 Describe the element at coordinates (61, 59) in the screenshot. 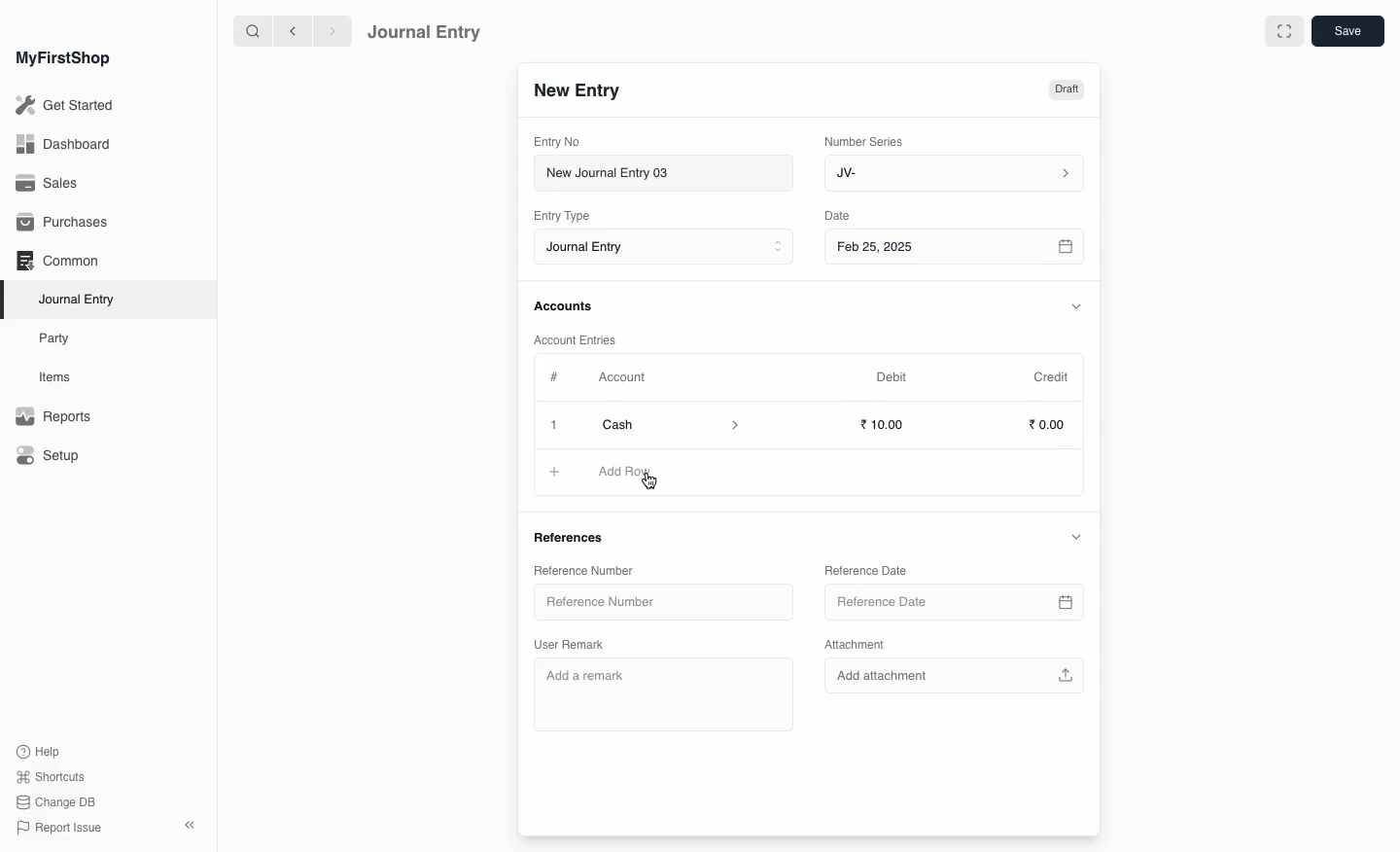

I see `MyFirstShop` at that location.